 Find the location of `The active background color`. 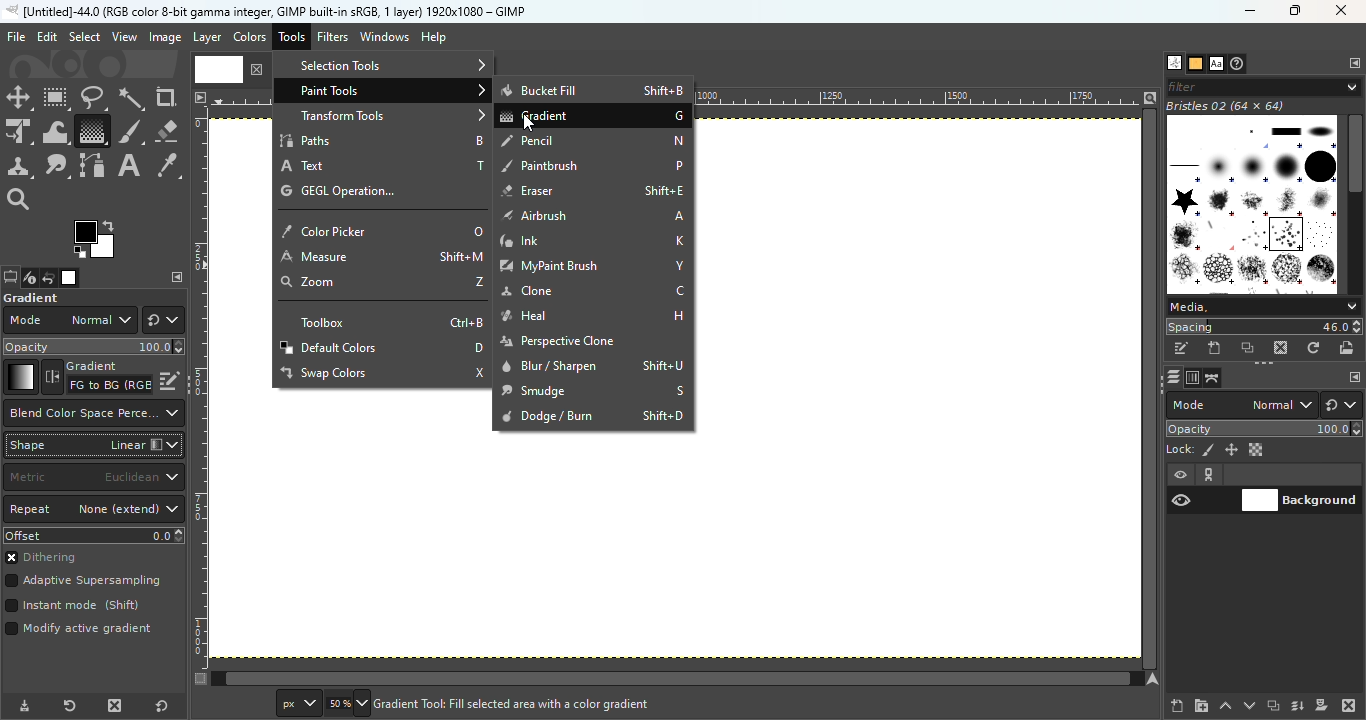

The active background color is located at coordinates (98, 240).